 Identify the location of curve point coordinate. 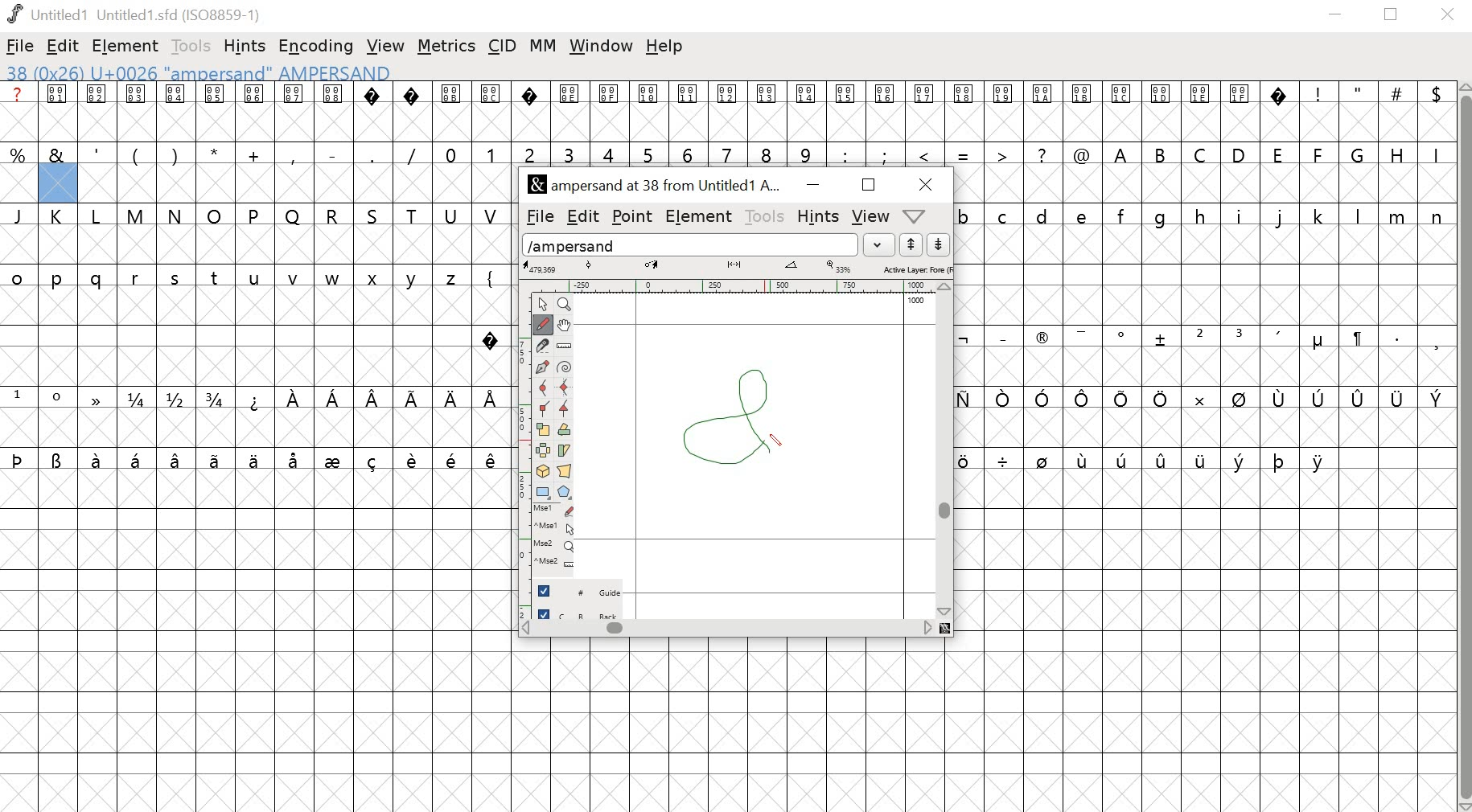
(589, 266).